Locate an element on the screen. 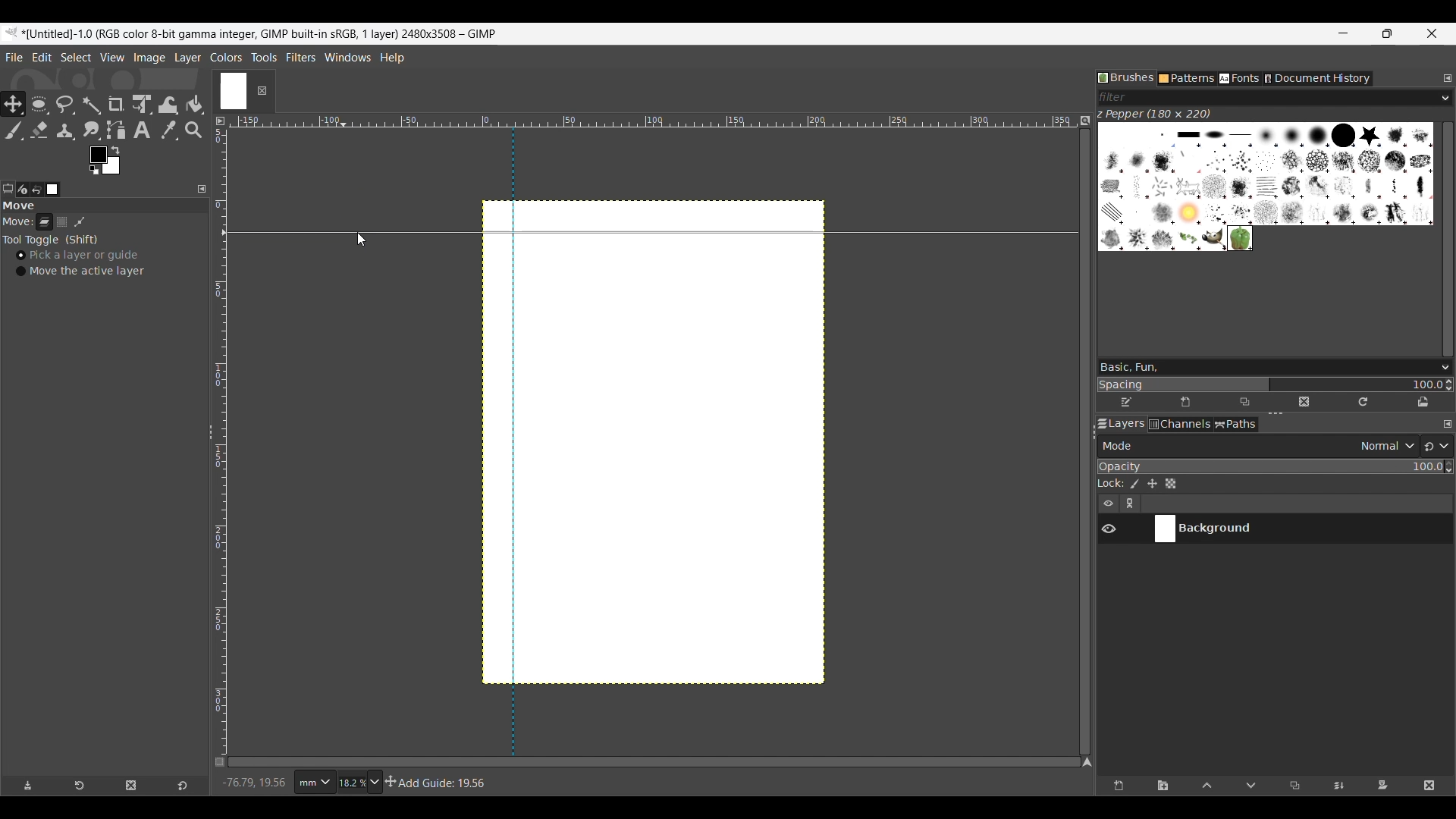  Create a new layer is located at coordinates (1118, 786).